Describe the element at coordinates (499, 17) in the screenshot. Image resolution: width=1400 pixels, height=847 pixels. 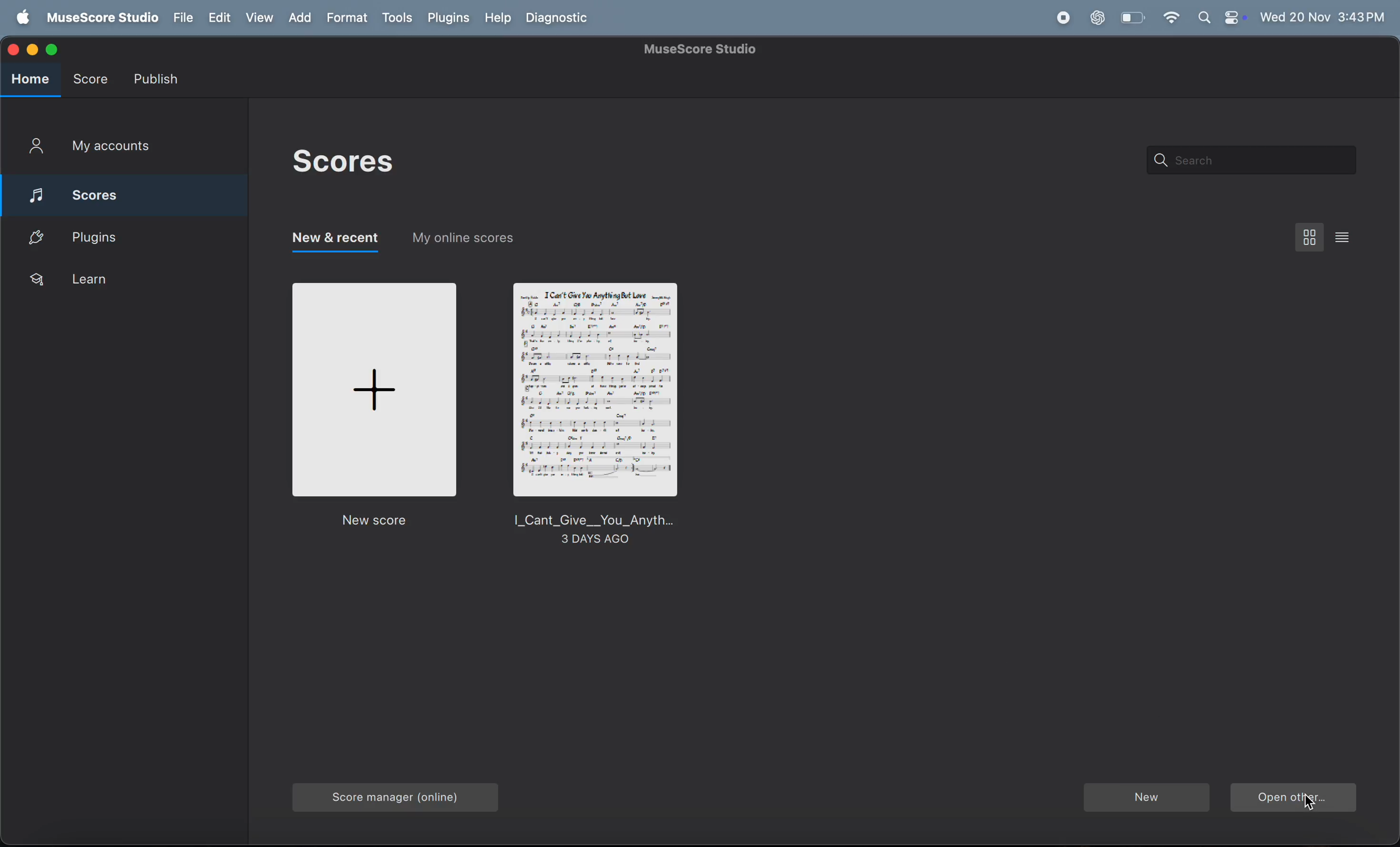
I see `help` at that location.